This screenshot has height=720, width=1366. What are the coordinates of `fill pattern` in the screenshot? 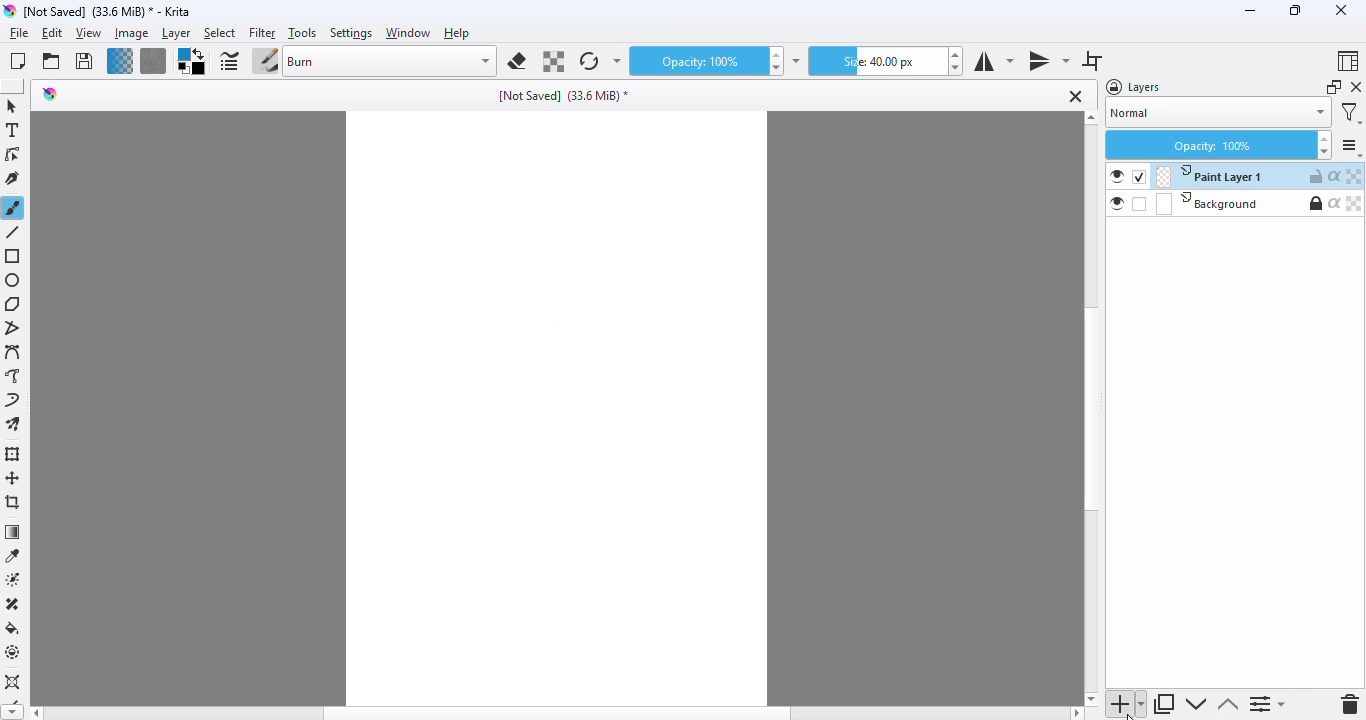 It's located at (153, 61).